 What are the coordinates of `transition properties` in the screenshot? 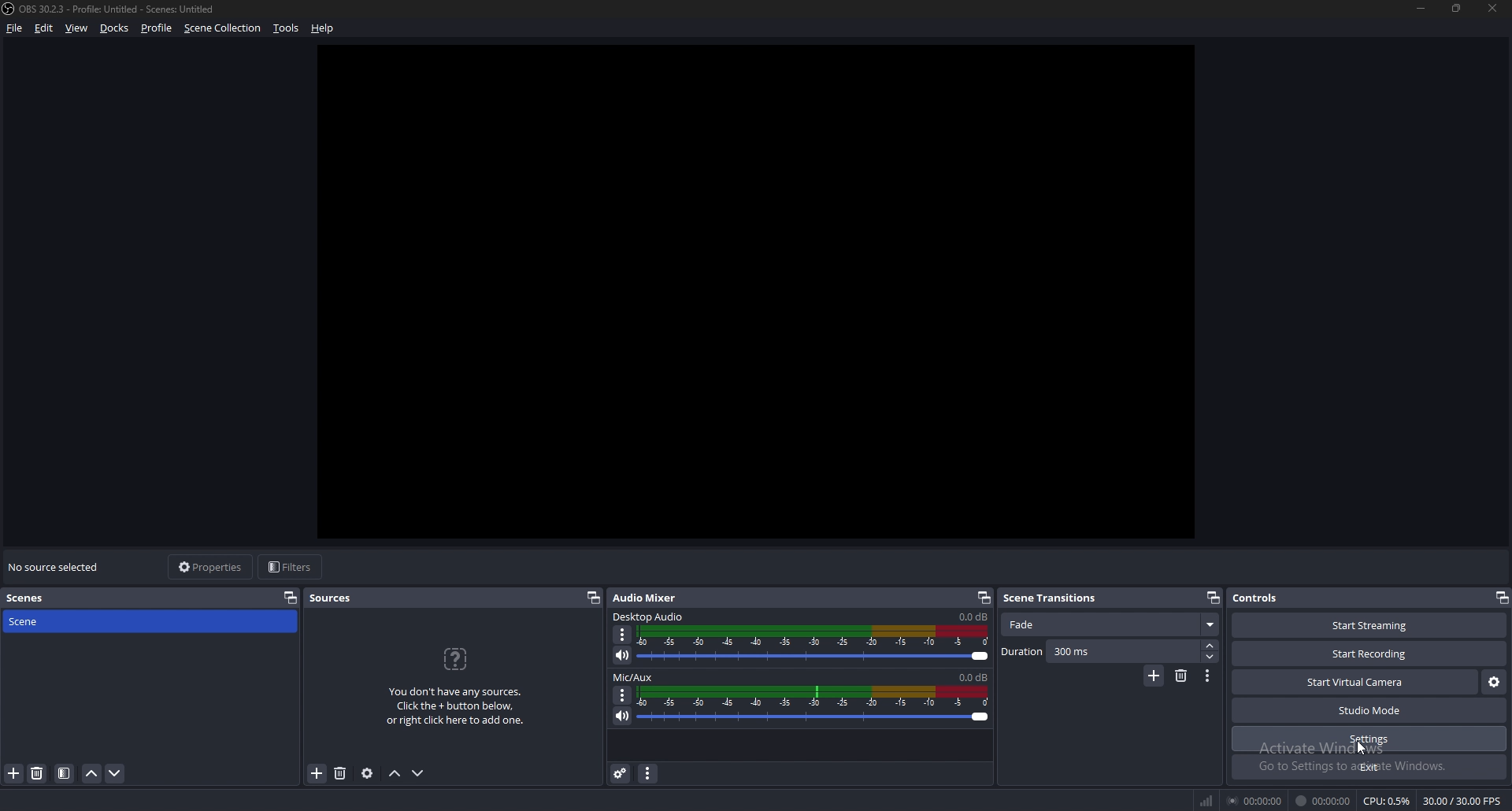 It's located at (1208, 676).